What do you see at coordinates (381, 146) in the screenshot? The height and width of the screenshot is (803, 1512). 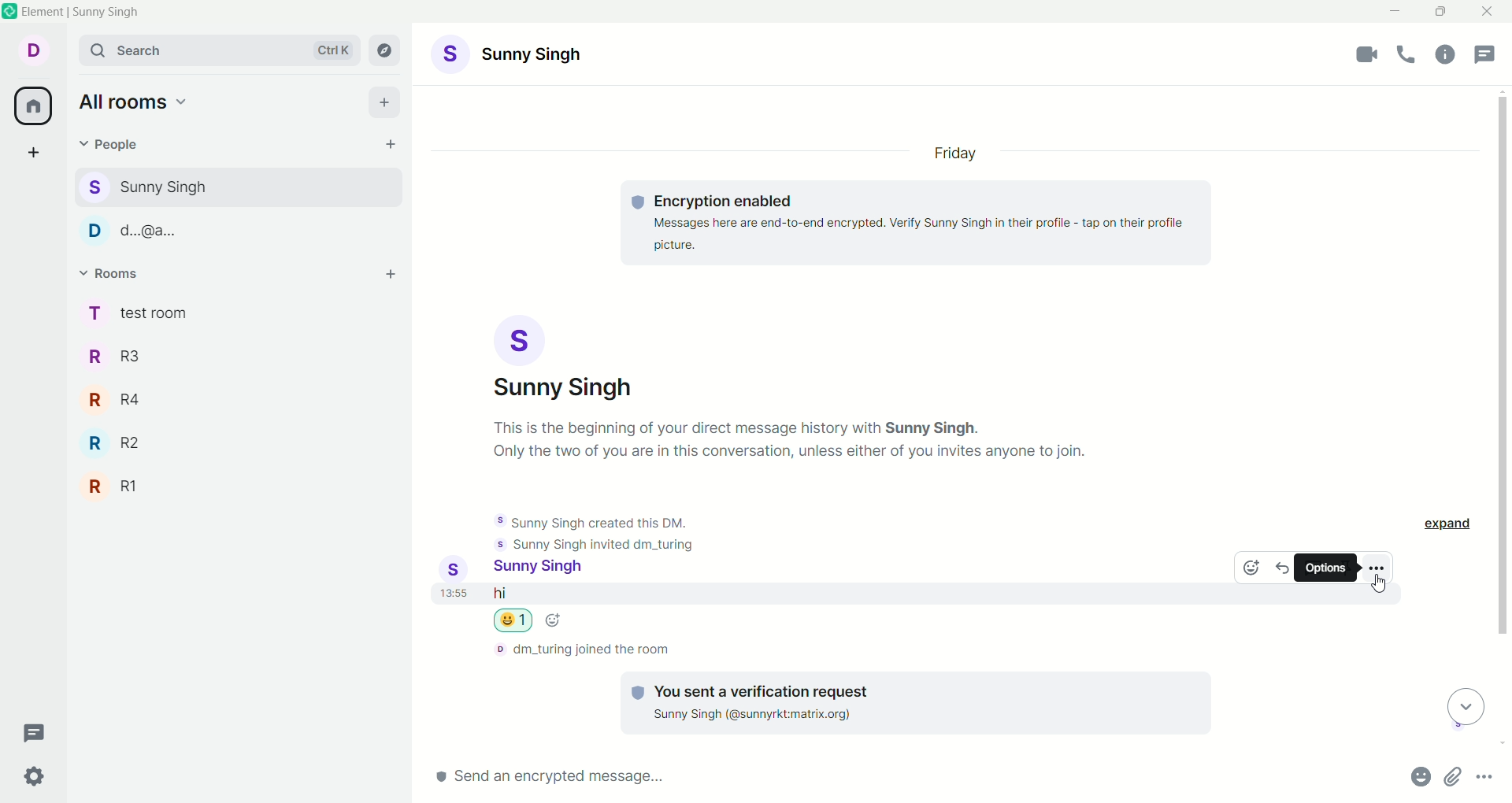 I see `start chat` at bounding box center [381, 146].